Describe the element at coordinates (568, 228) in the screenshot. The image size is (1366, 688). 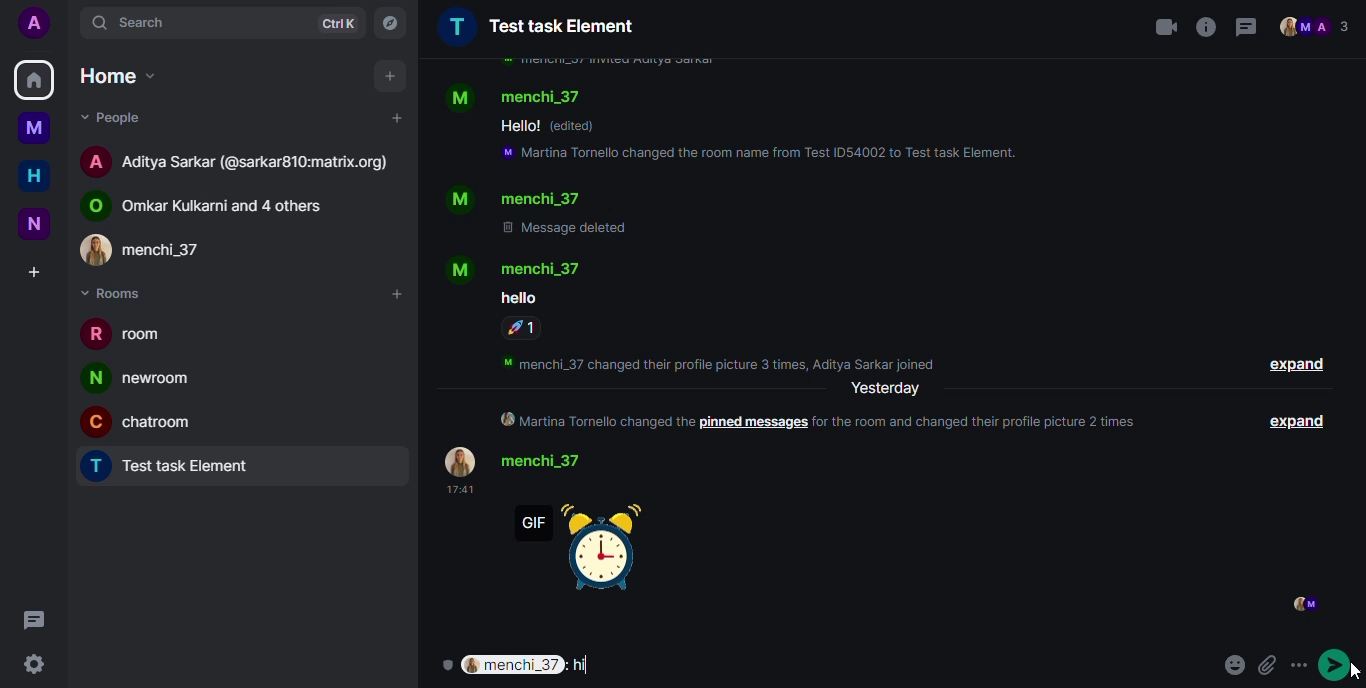
I see `message deleted` at that location.